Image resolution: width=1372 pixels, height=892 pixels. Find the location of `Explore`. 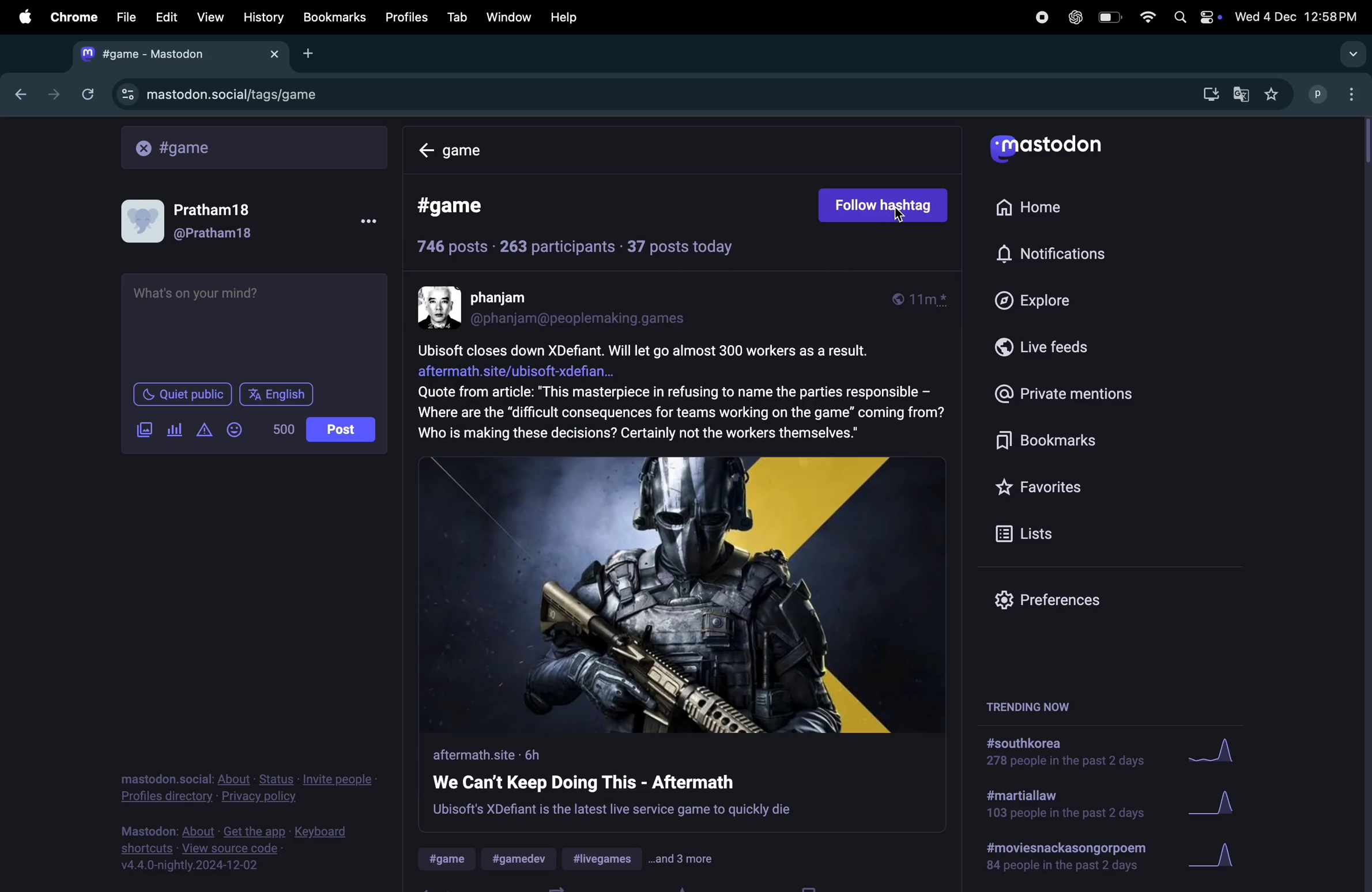

Explore is located at coordinates (1051, 301).